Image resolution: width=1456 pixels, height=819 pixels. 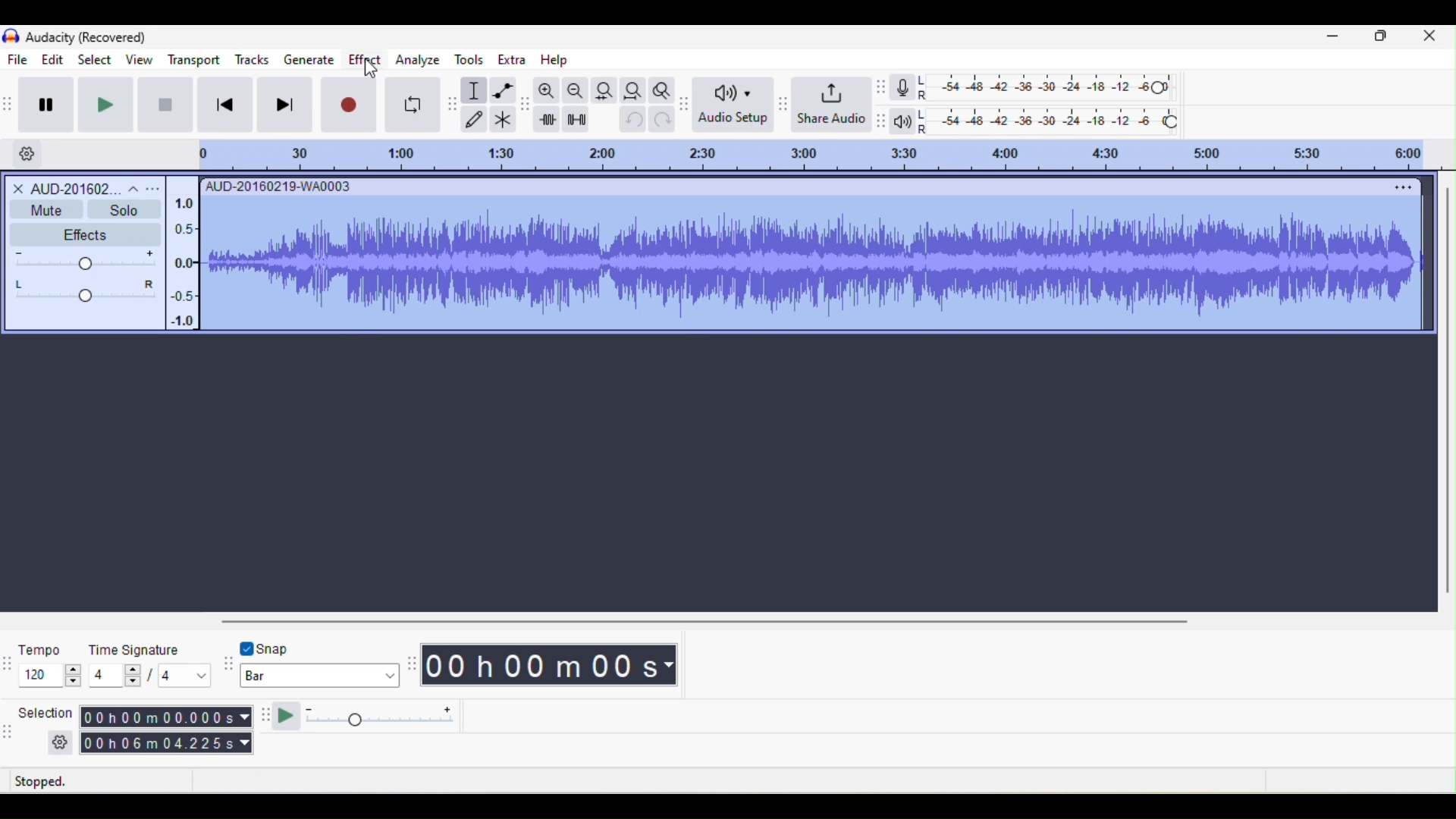 I want to click on effects, so click(x=88, y=231).